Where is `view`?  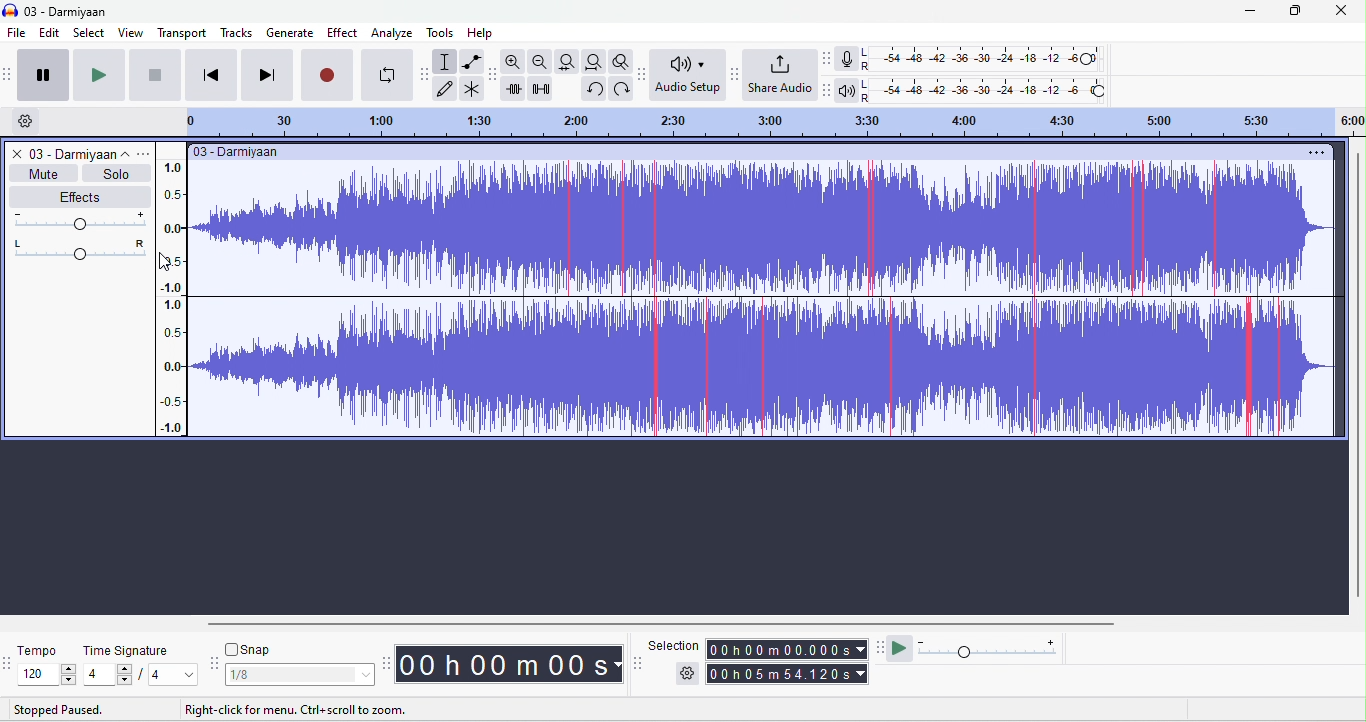 view is located at coordinates (132, 32).